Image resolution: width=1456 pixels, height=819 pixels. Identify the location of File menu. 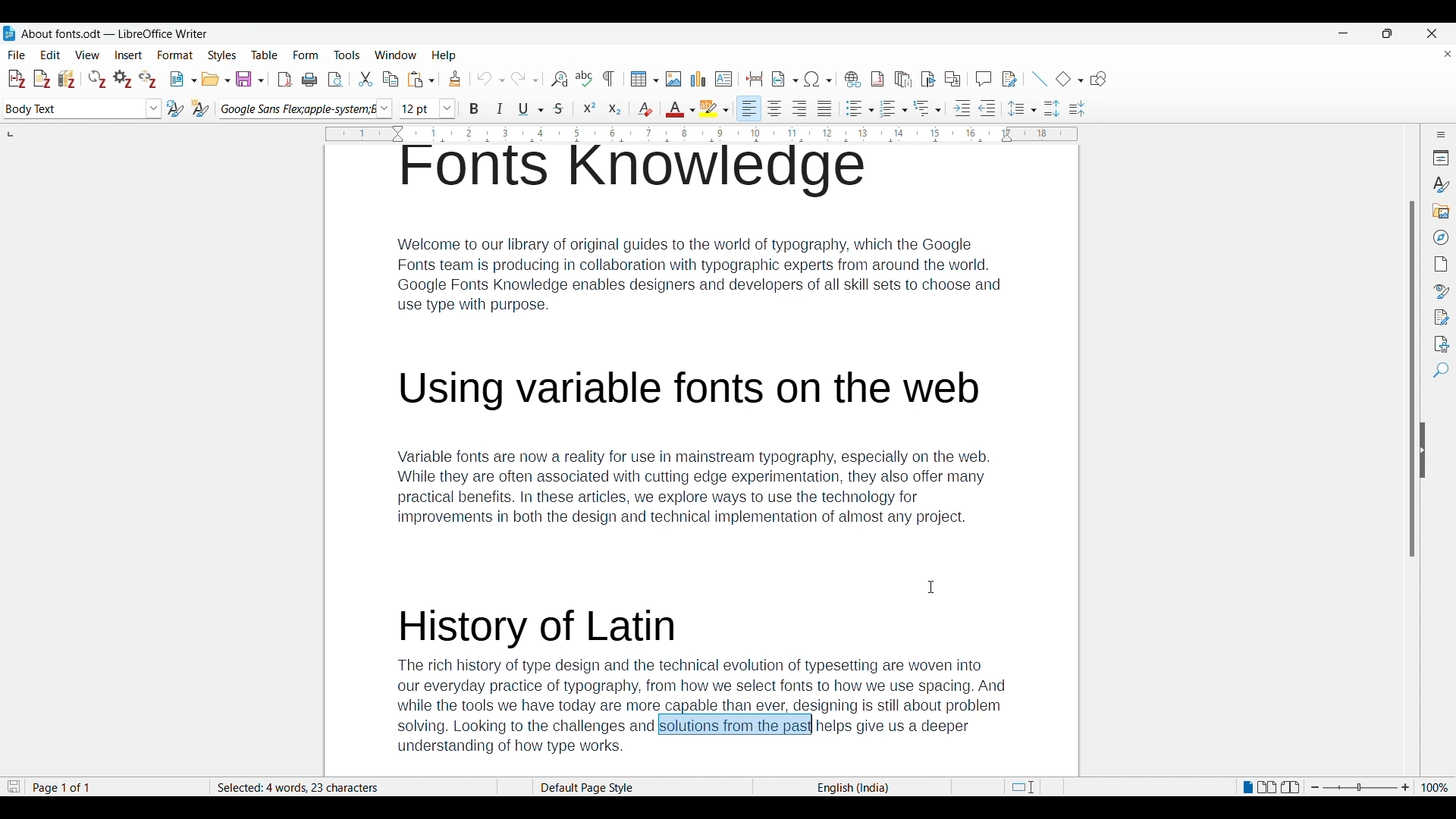
(17, 55).